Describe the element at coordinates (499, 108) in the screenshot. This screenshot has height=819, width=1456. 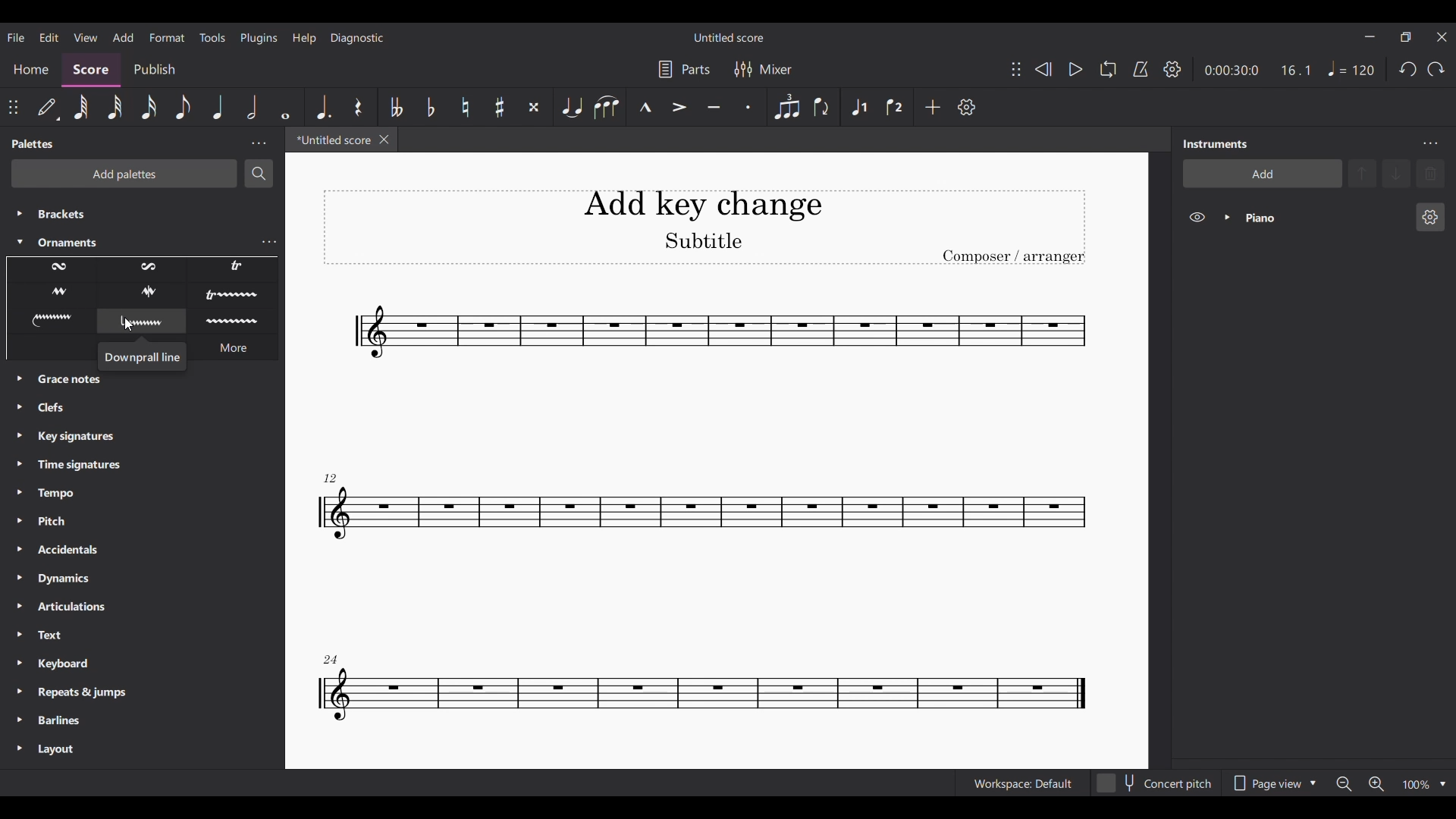
I see `Toggle sharp` at that location.